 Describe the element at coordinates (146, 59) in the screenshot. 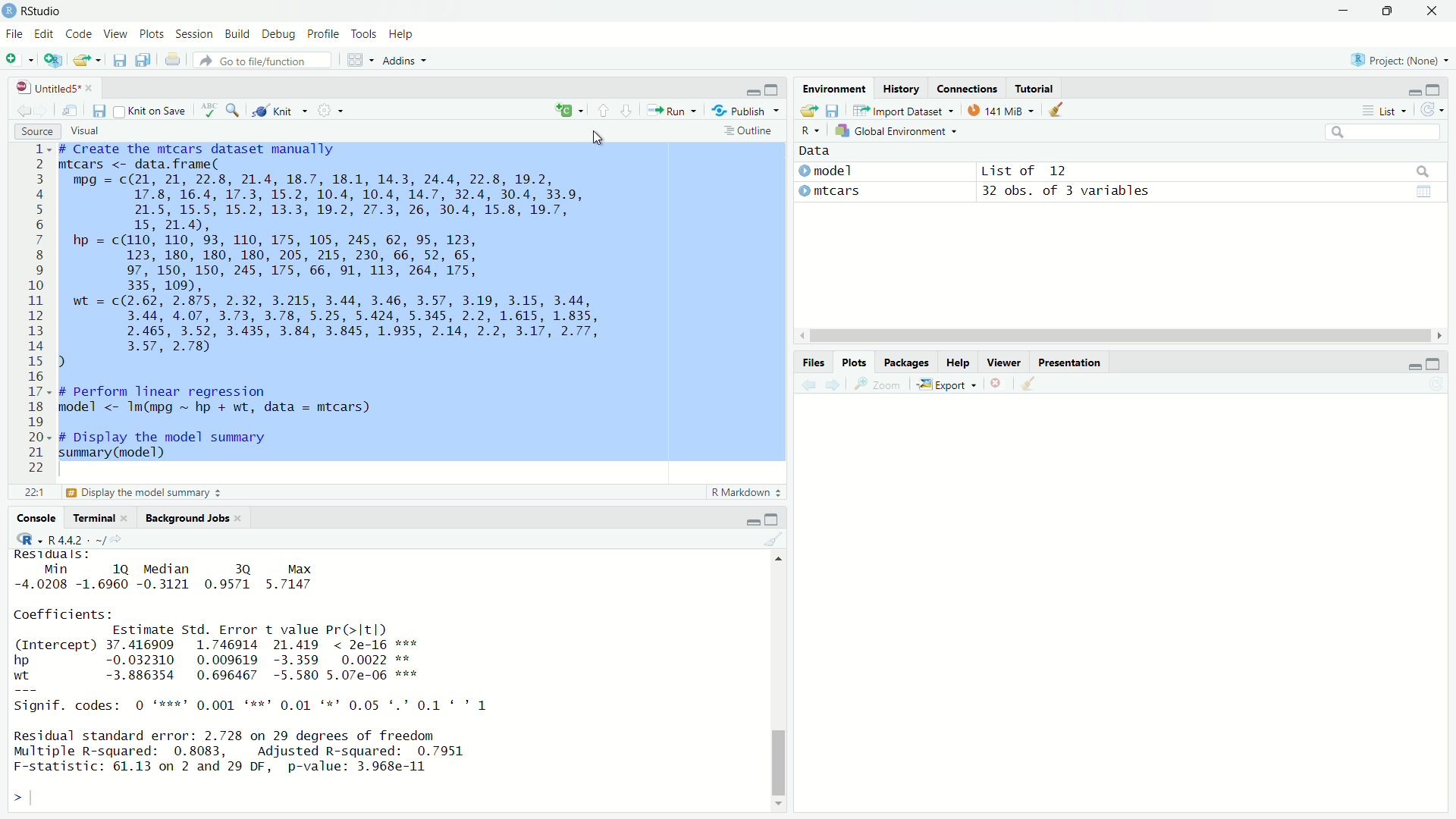

I see `save all` at that location.